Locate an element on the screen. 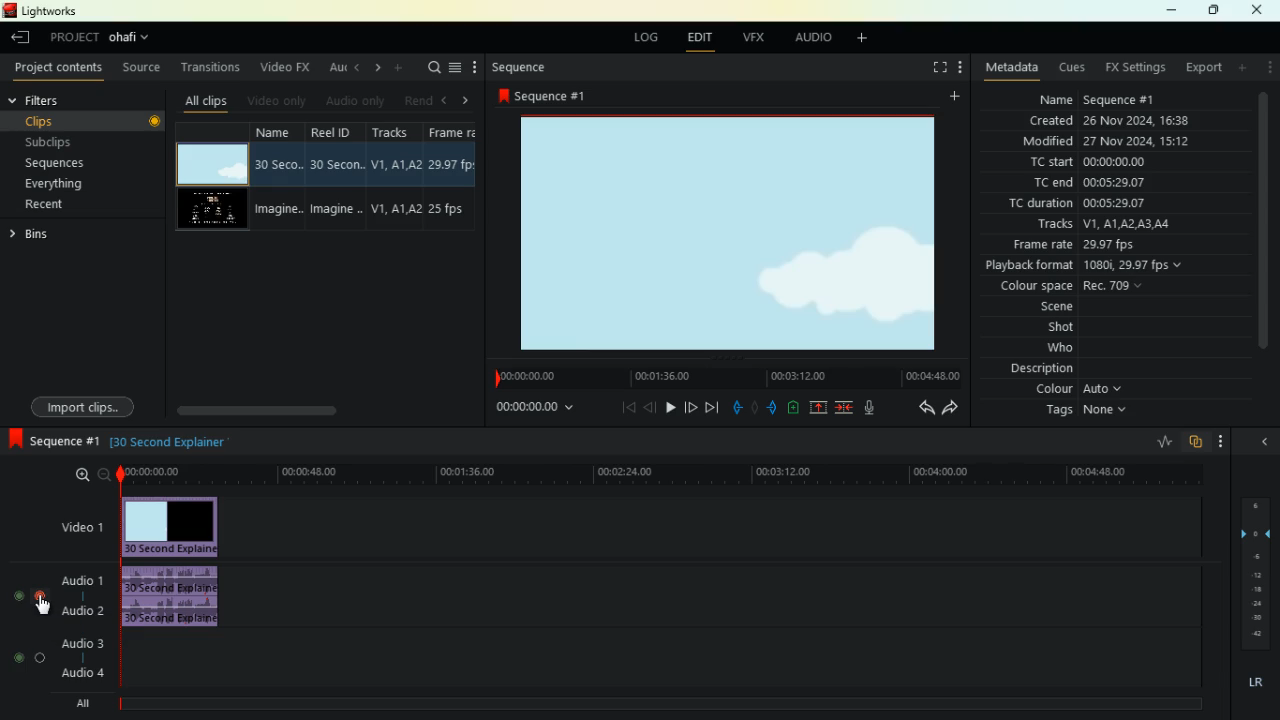  fx settings is located at coordinates (1130, 68).